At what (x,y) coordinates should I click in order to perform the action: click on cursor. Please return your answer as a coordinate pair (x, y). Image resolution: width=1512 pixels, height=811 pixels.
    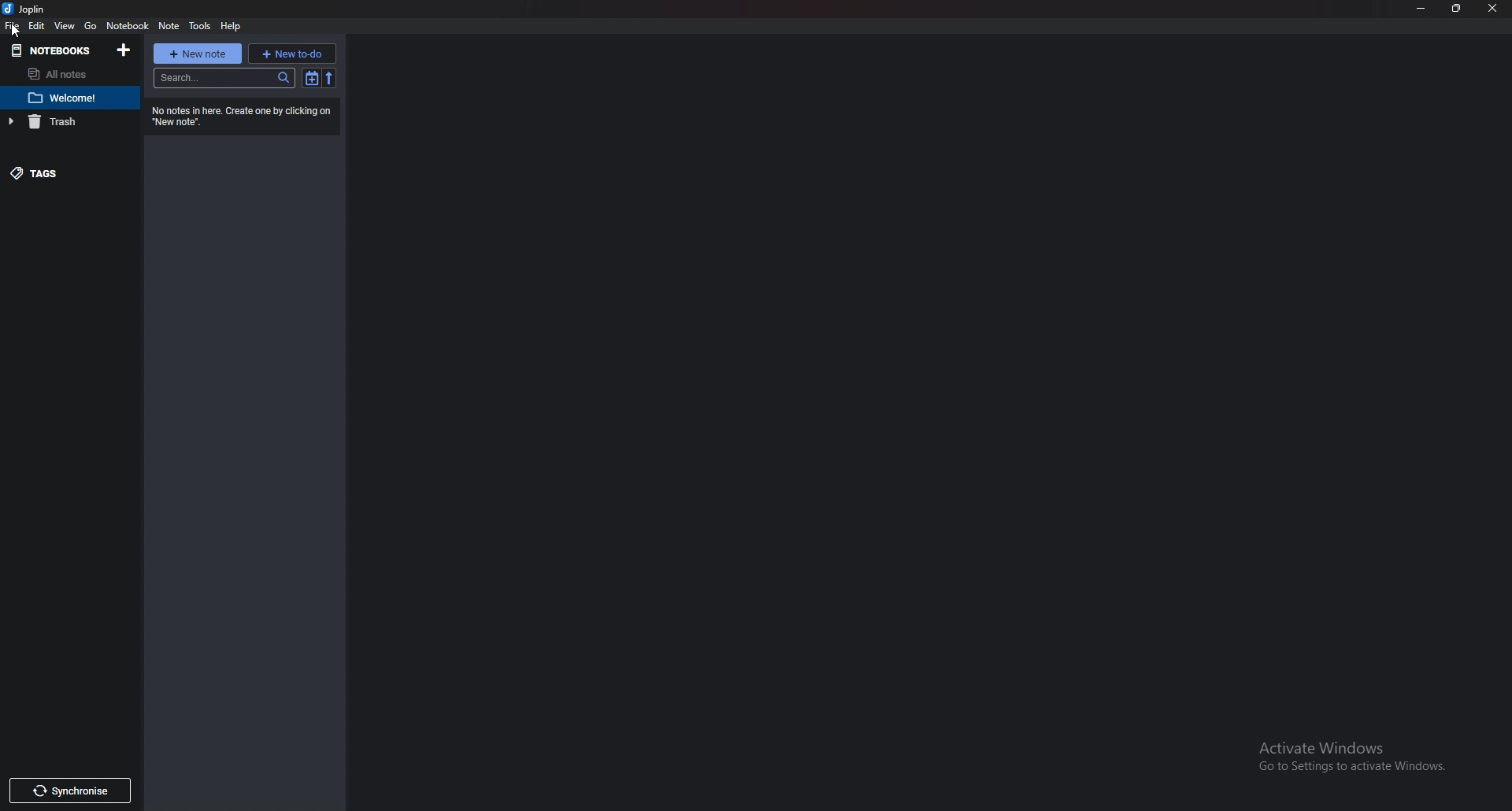
    Looking at the image, I should click on (17, 32).